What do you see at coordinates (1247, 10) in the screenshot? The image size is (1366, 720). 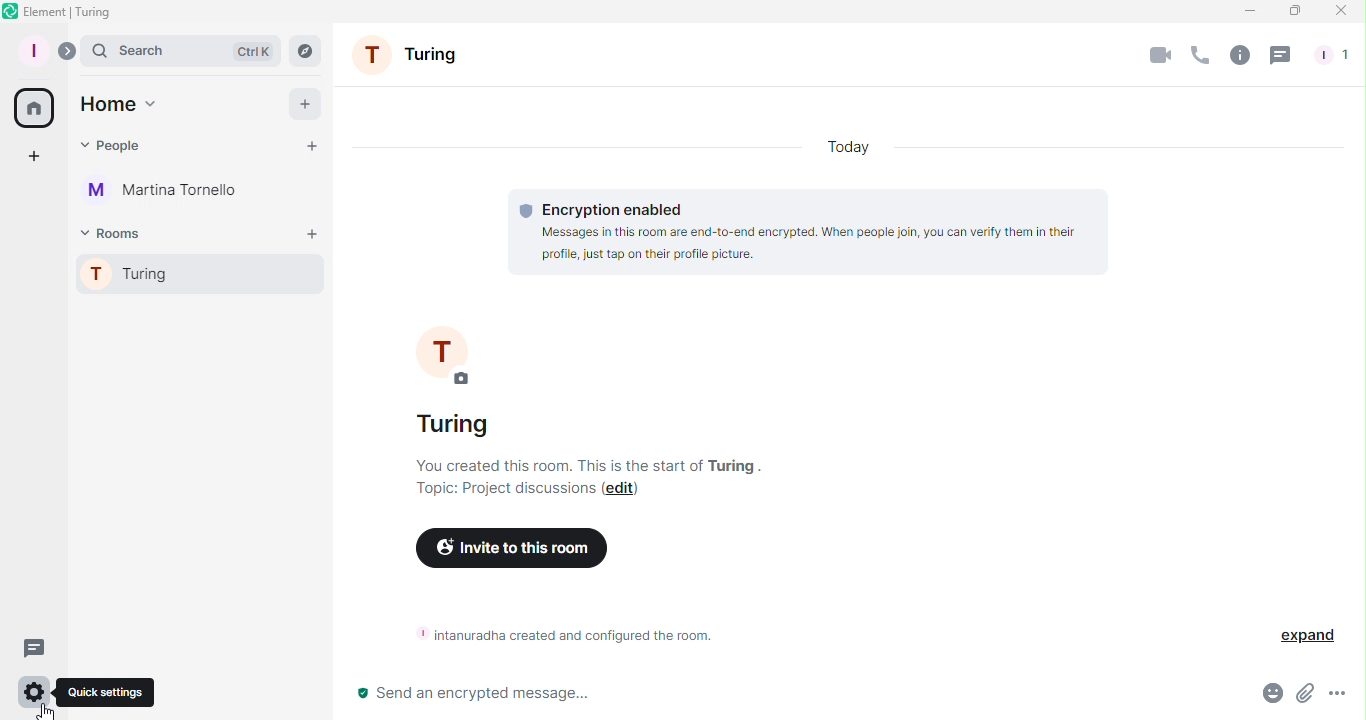 I see `Minimize` at bounding box center [1247, 10].